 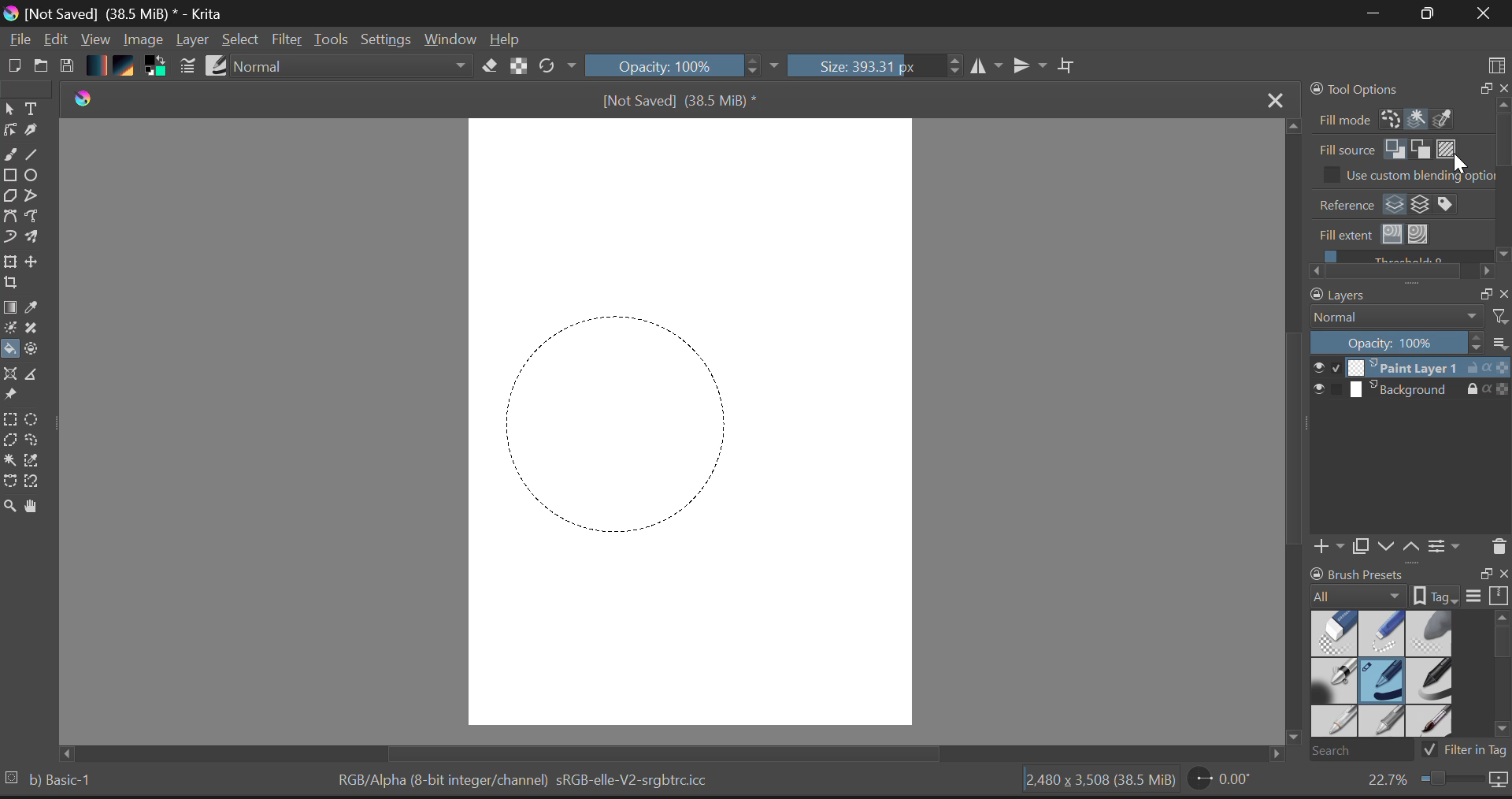 What do you see at coordinates (332, 39) in the screenshot?
I see `Tools` at bounding box center [332, 39].